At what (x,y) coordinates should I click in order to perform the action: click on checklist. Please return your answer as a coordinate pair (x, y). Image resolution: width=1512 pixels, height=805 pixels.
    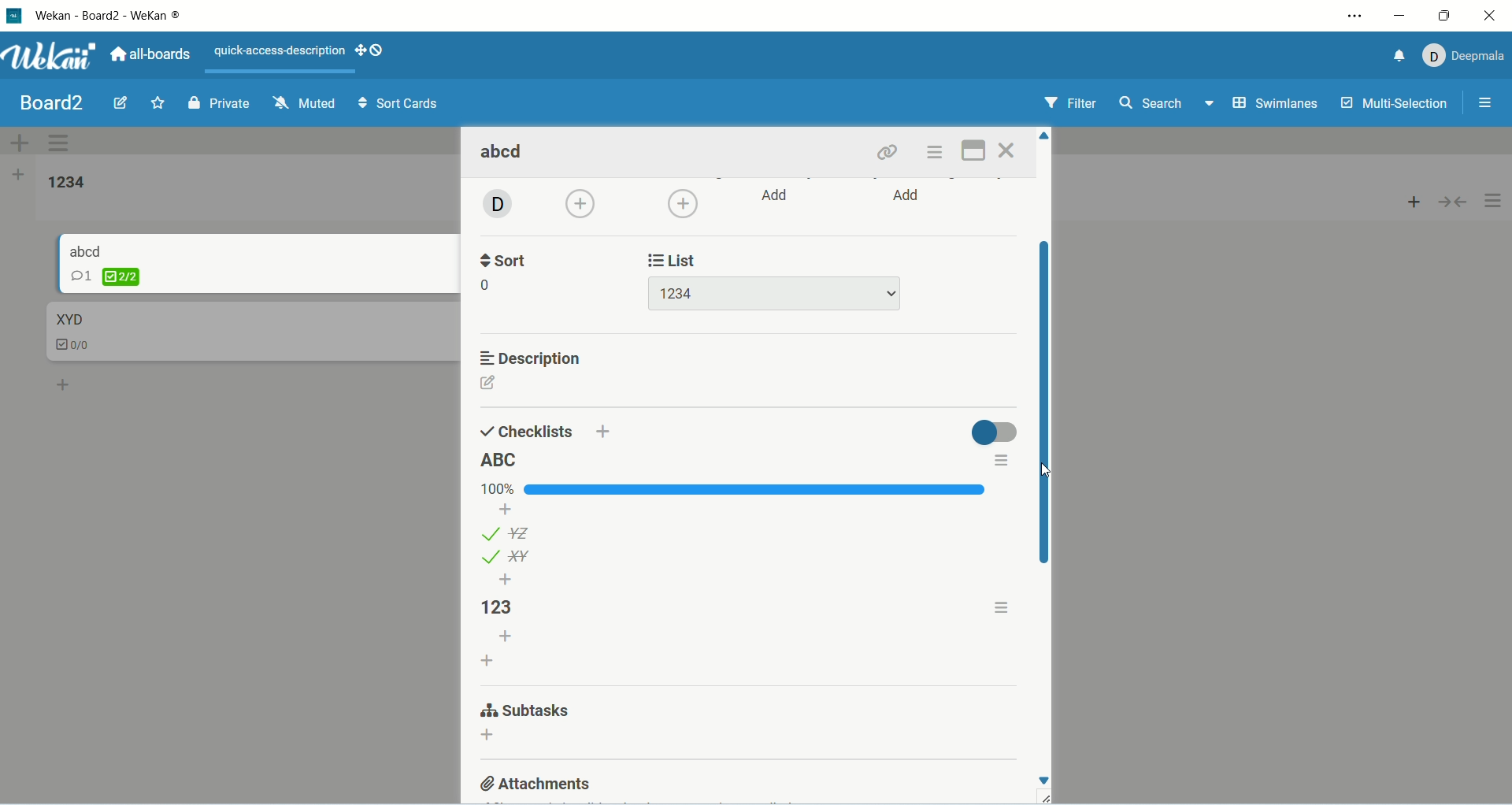
    Looking at the image, I should click on (80, 347).